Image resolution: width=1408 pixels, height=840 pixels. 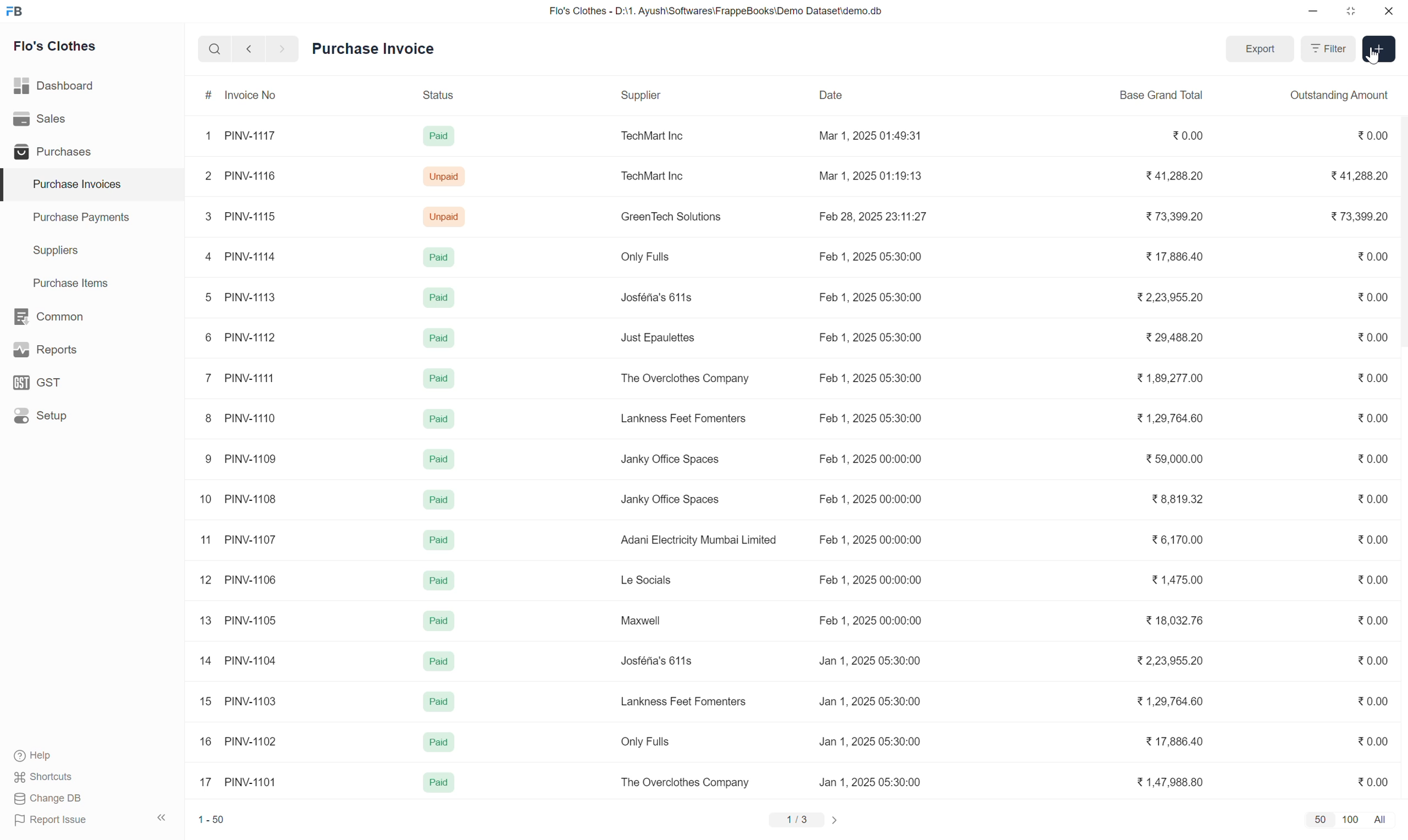 What do you see at coordinates (92, 119) in the screenshot?
I see `Sales` at bounding box center [92, 119].